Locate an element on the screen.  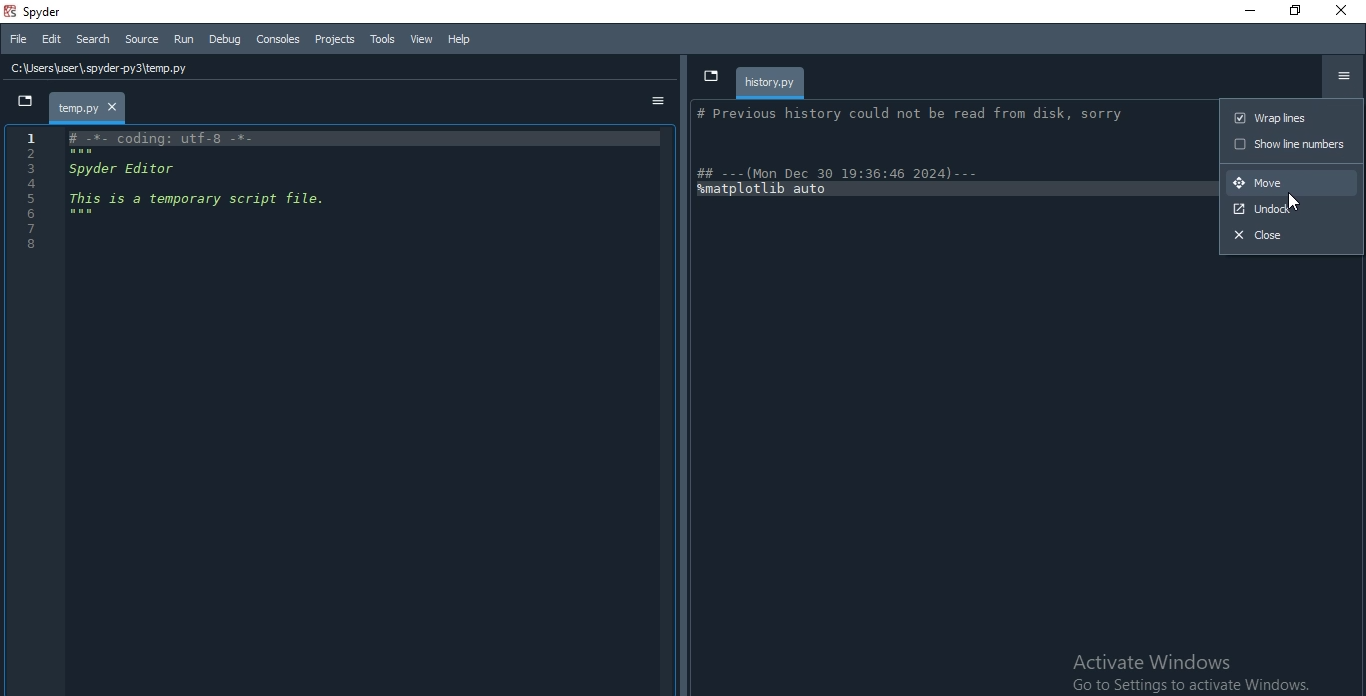
history.py is located at coordinates (771, 80).